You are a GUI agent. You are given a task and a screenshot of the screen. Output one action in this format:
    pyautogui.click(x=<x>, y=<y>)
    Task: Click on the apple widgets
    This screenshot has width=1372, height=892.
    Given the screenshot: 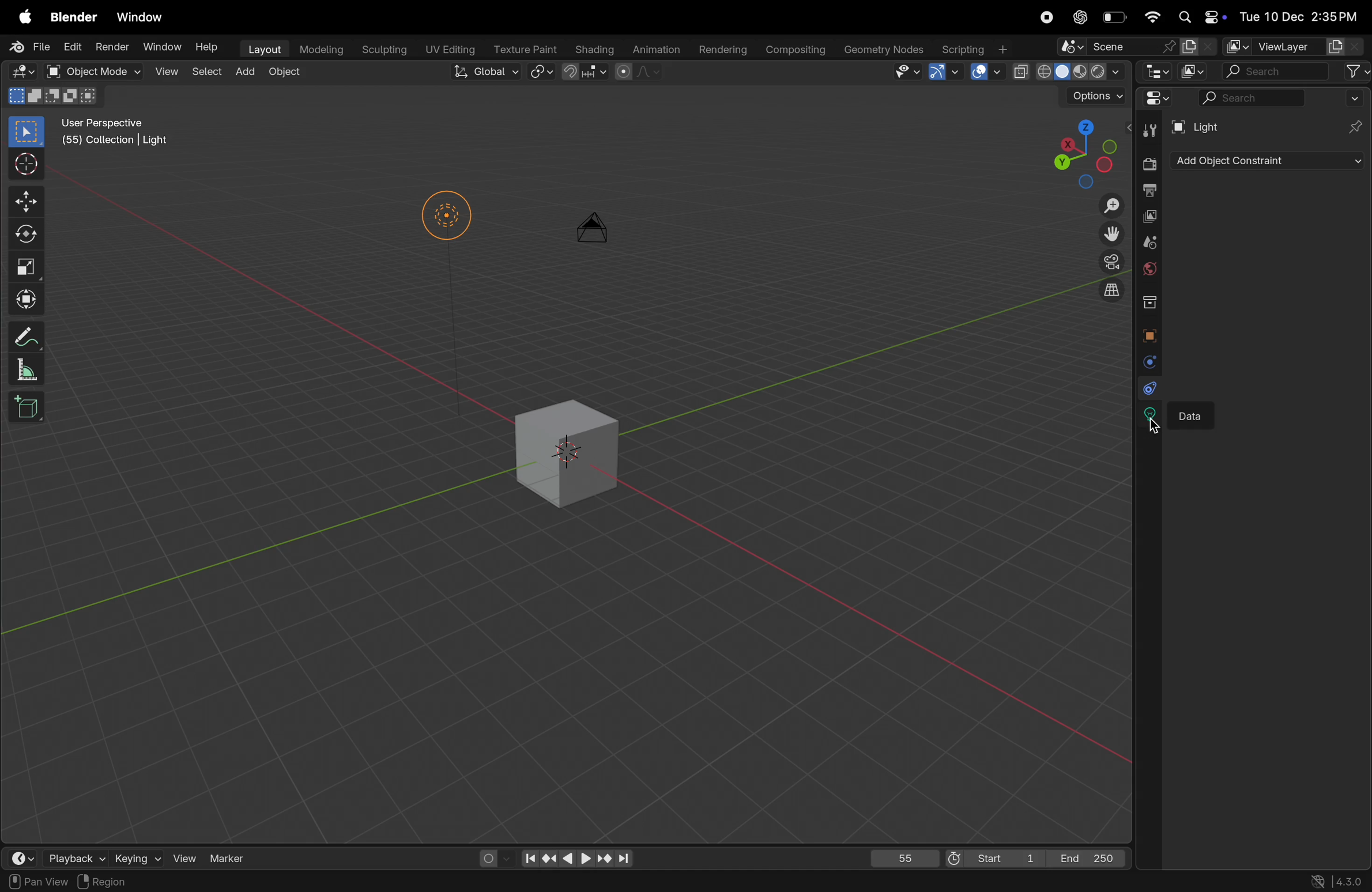 What is the action you would take?
    pyautogui.click(x=1199, y=16)
    